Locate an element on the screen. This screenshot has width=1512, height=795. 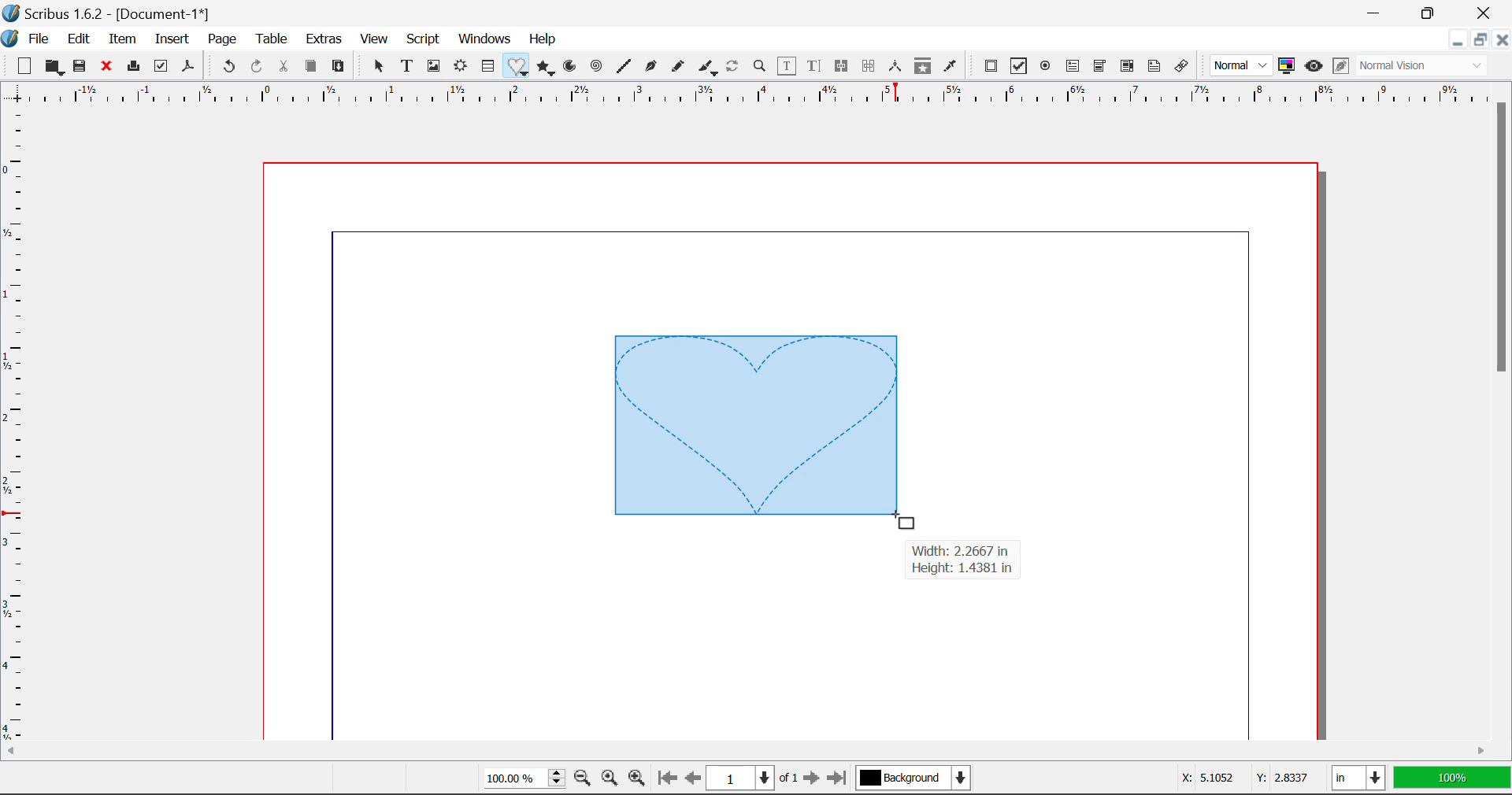
Windows is located at coordinates (485, 39).